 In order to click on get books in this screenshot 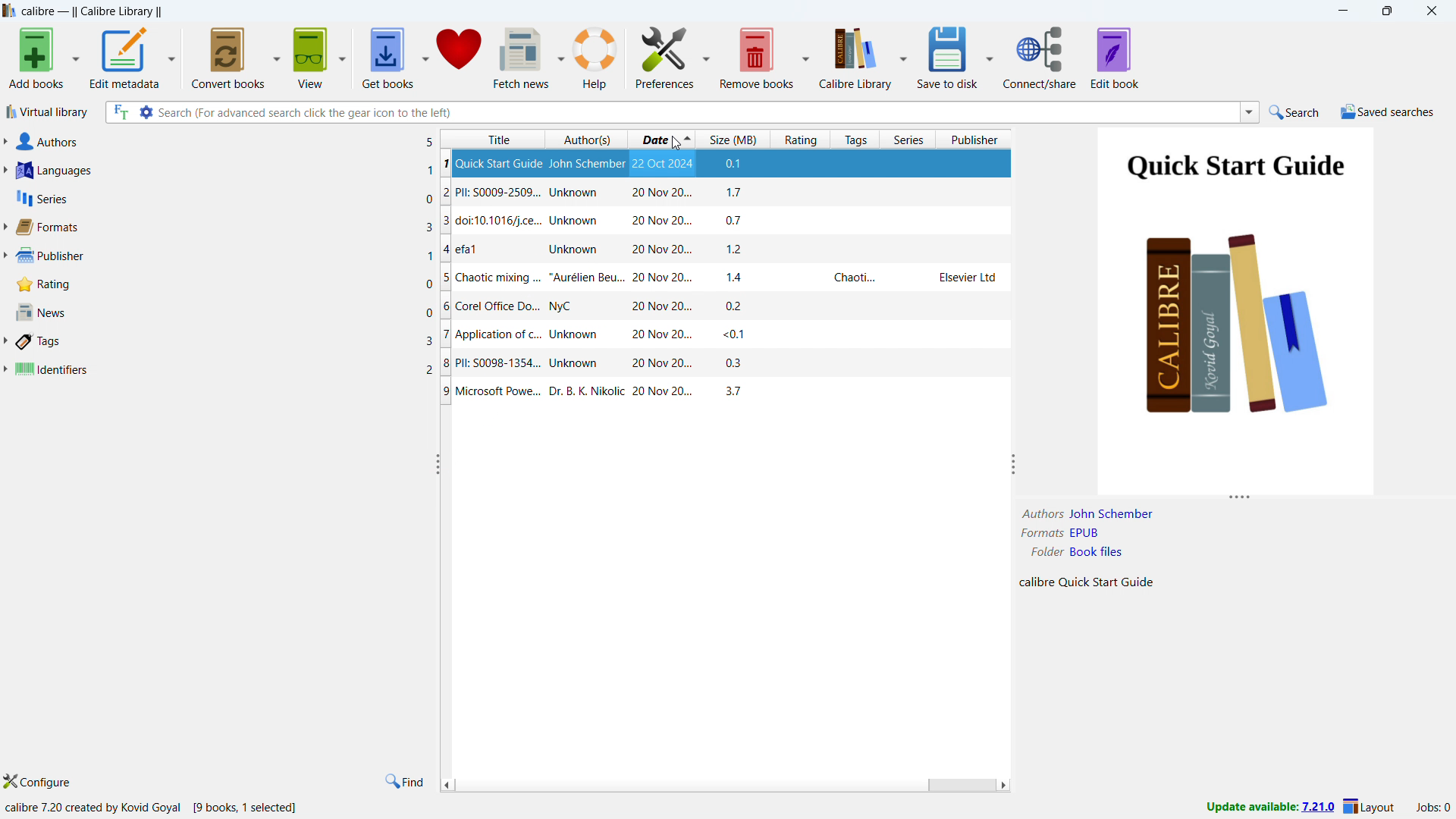, I will do `click(388, 56)`.